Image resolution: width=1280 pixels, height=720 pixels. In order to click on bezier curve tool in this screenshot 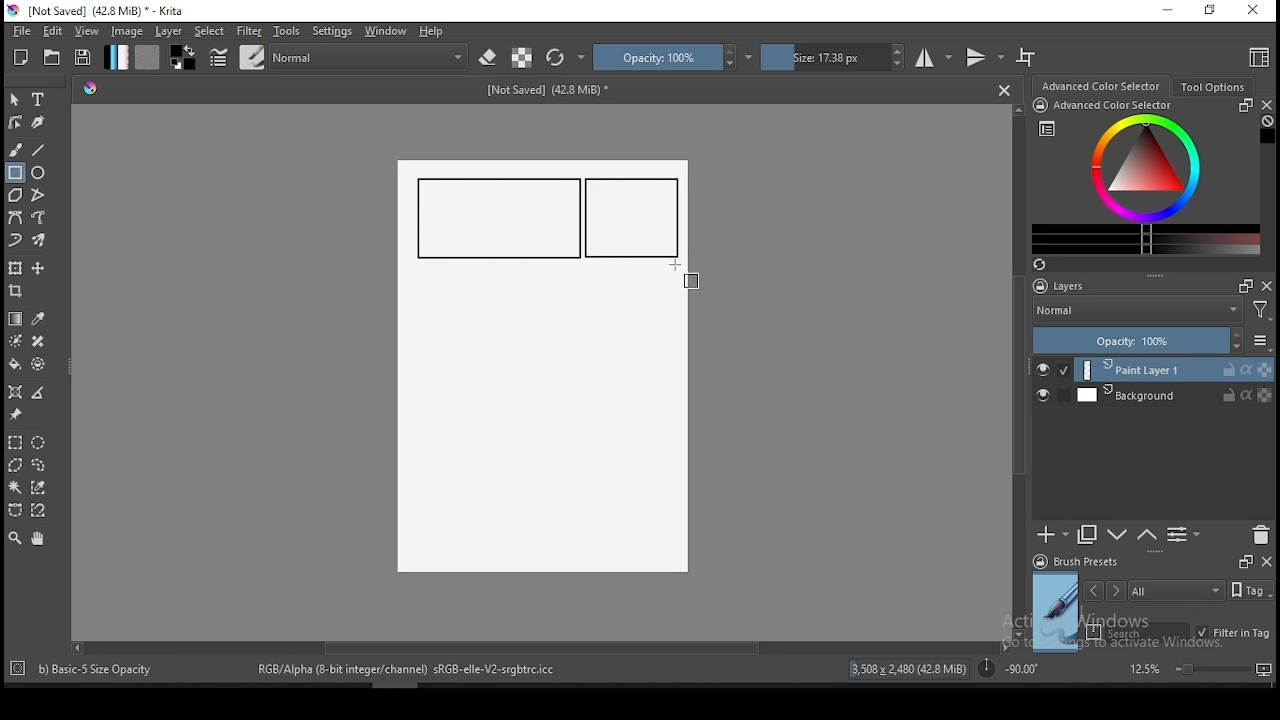, I will do `click(14, 219)`.